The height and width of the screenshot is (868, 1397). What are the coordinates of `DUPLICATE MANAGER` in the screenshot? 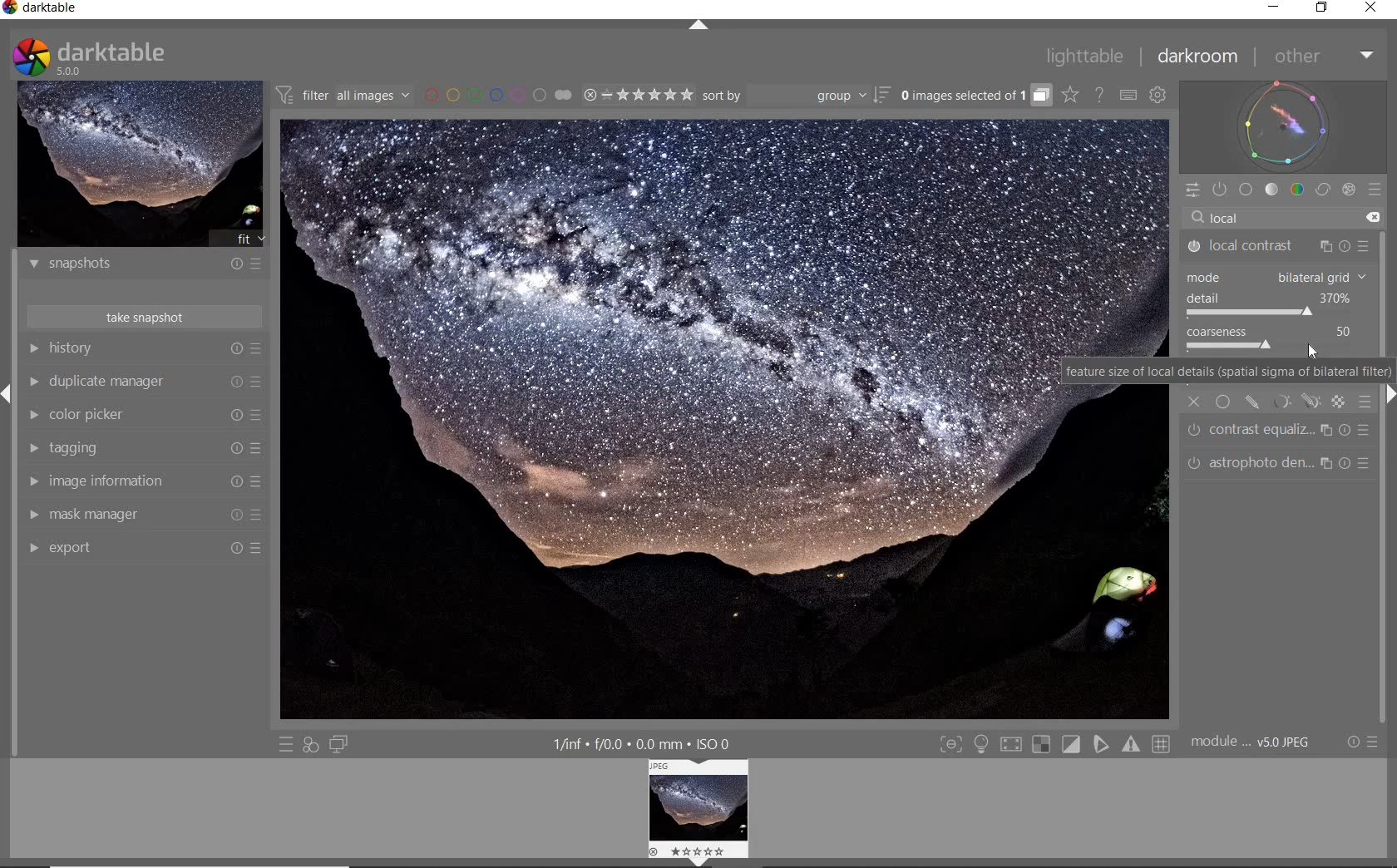 It's located at (36, 382).